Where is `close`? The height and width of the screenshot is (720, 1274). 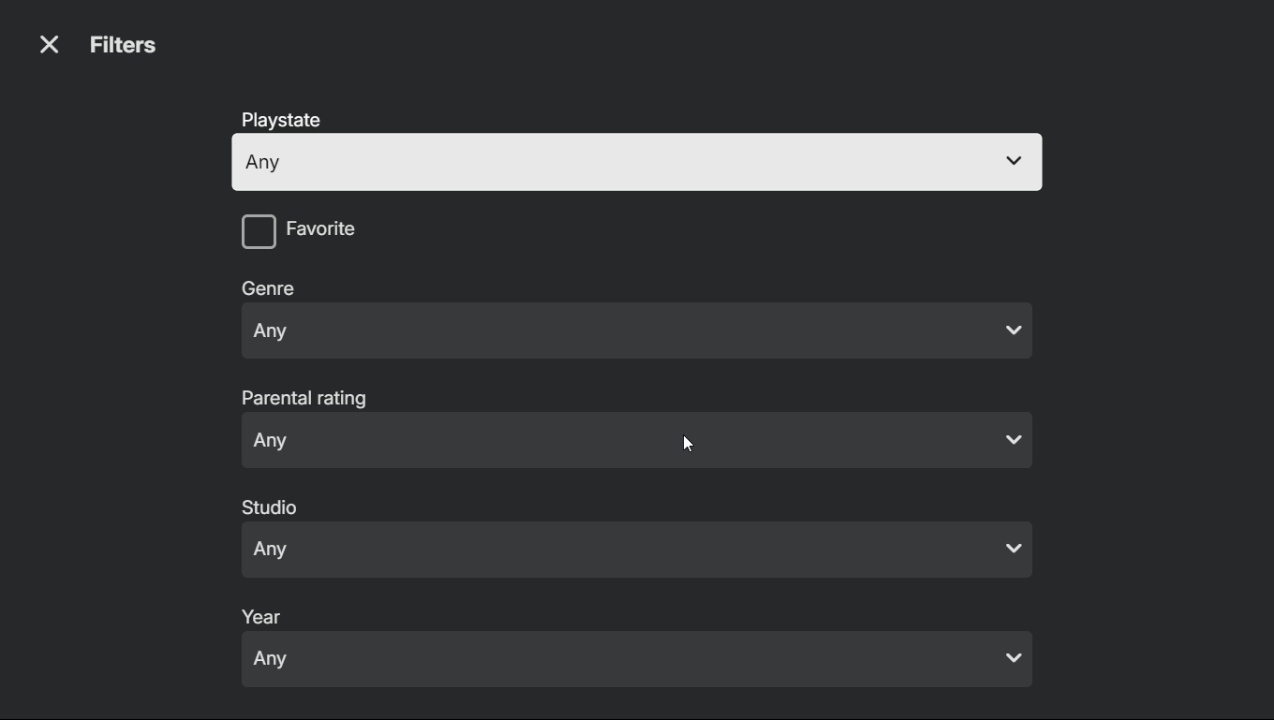
close is located at coordinates (46, 47).